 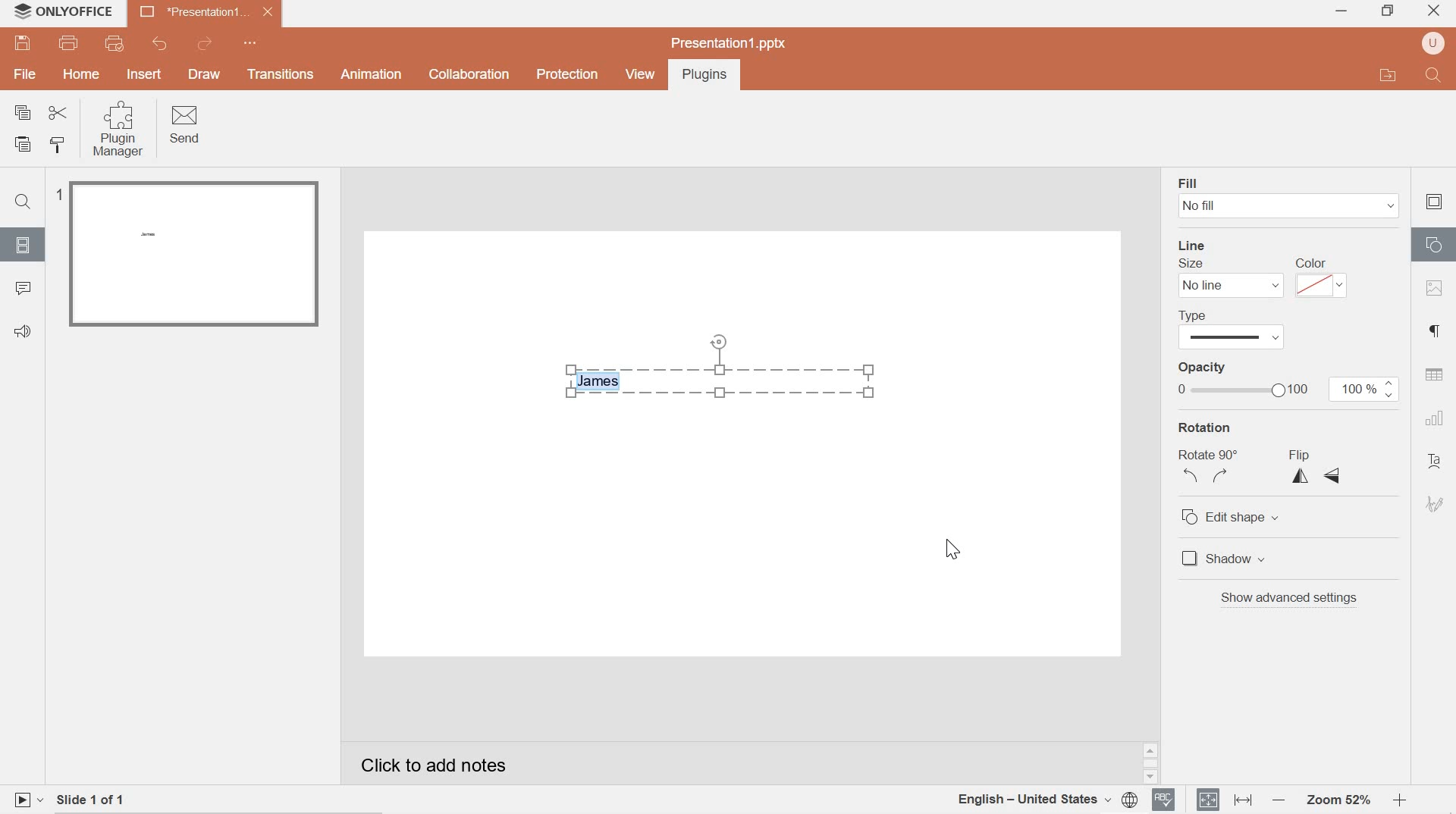 I want to click on restore down, so click(x=1387, y=9).